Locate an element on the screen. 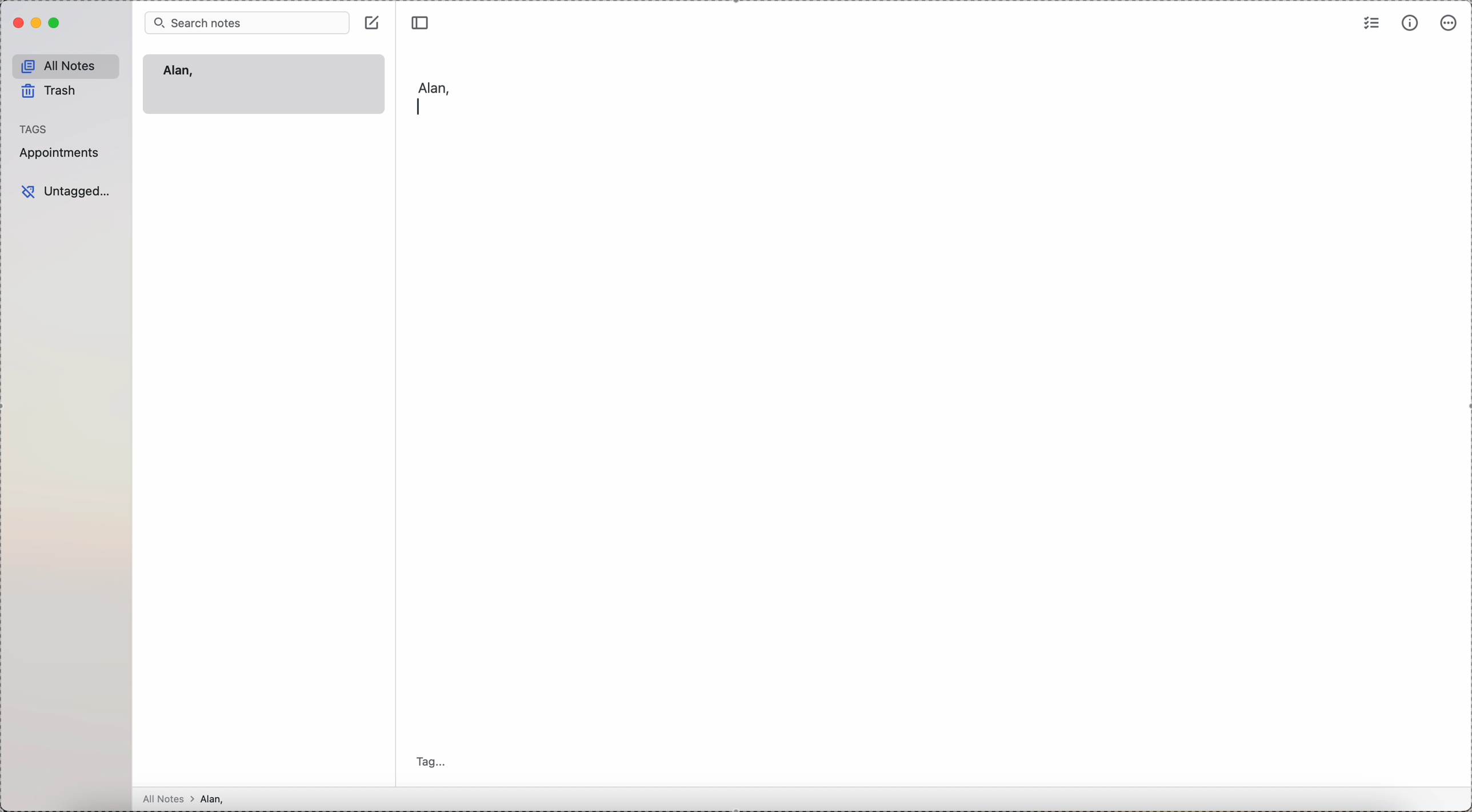 The width and height of the screenshot is (1472, 812). check list is located at coordinates (1372, 22).